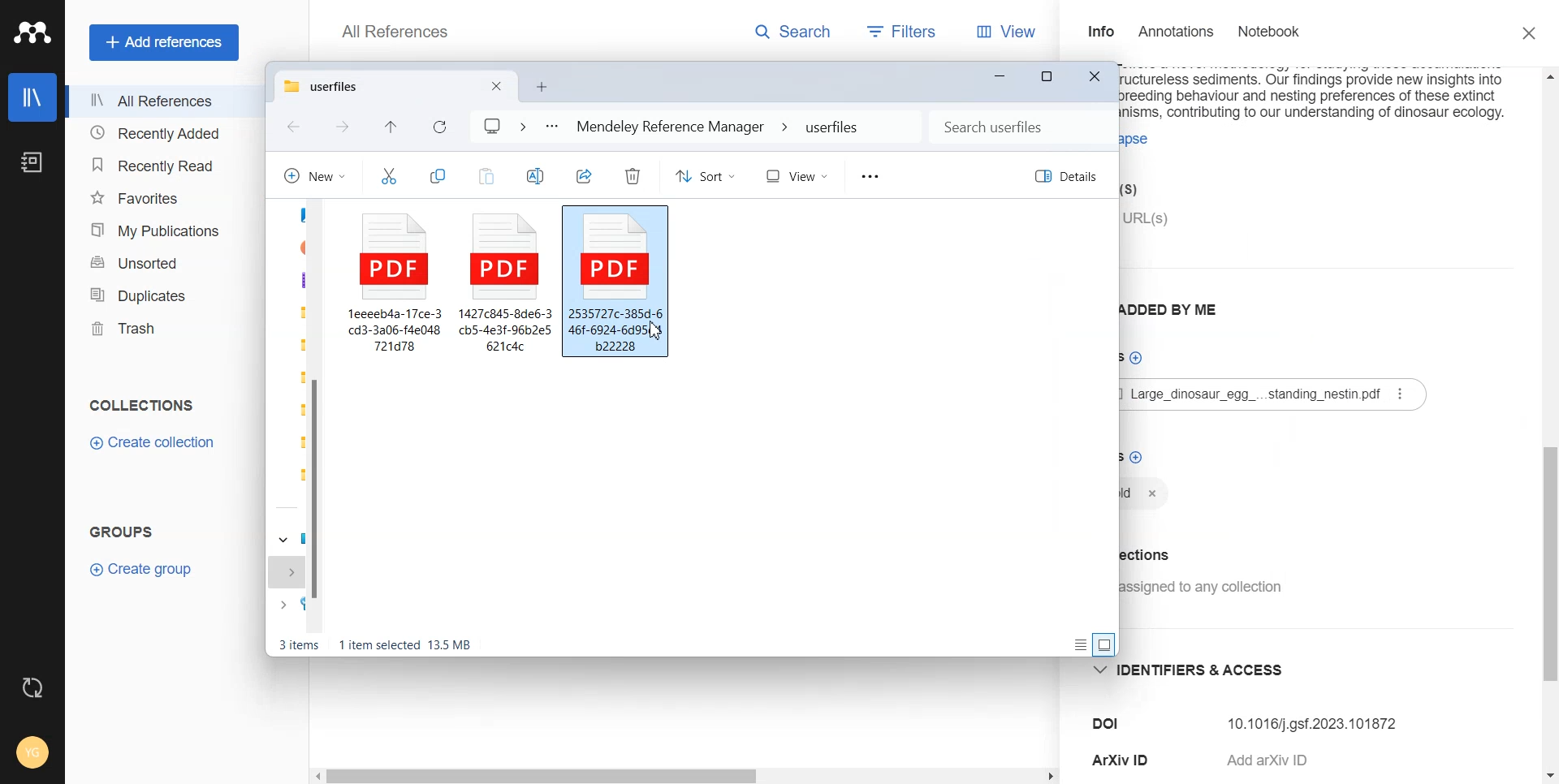  Describe the element at coordinates (871, 176) in the screenshot. I see `More` at that location.